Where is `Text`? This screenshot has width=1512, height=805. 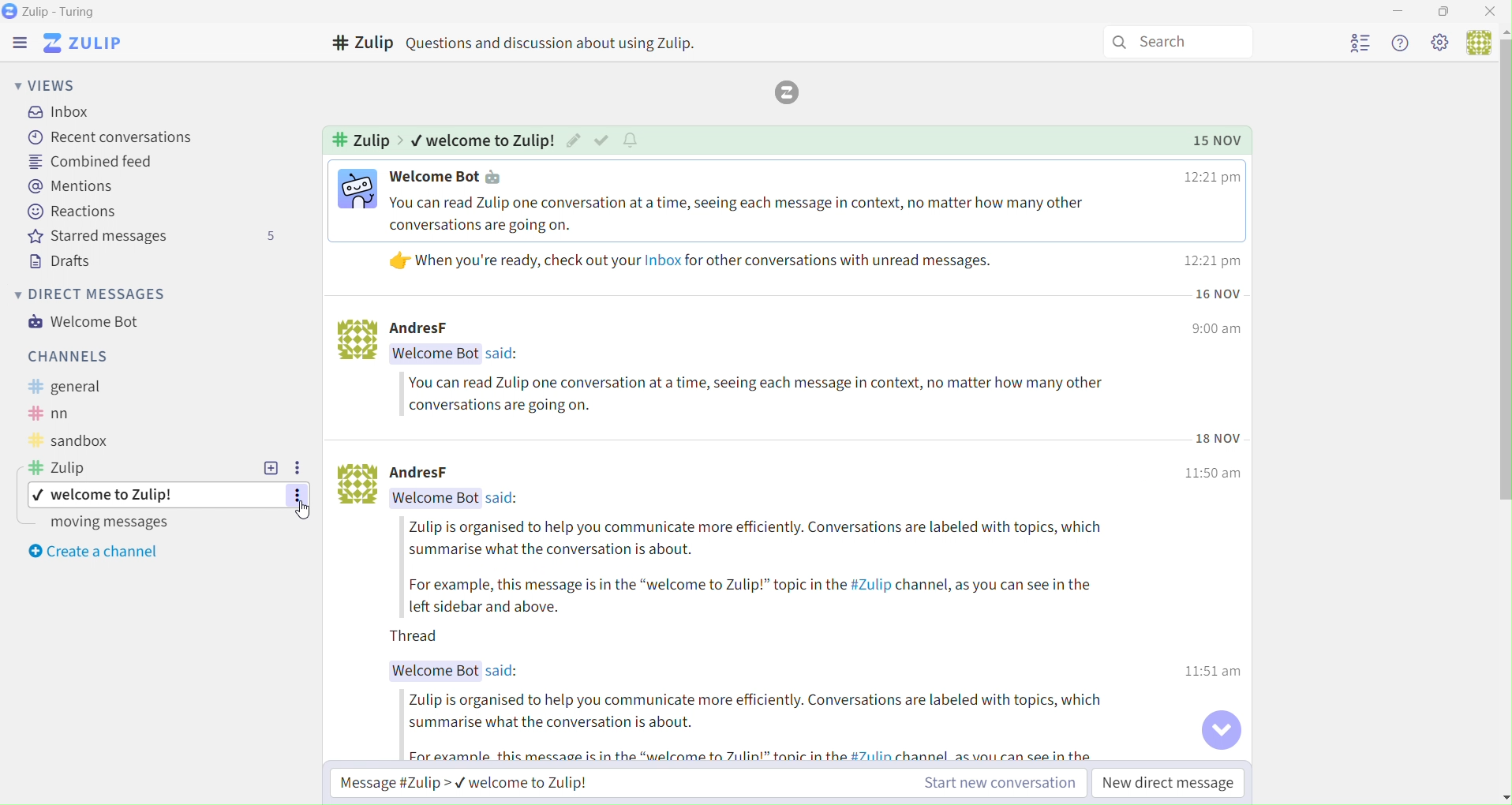
Text is located at coordinates (62, 12).